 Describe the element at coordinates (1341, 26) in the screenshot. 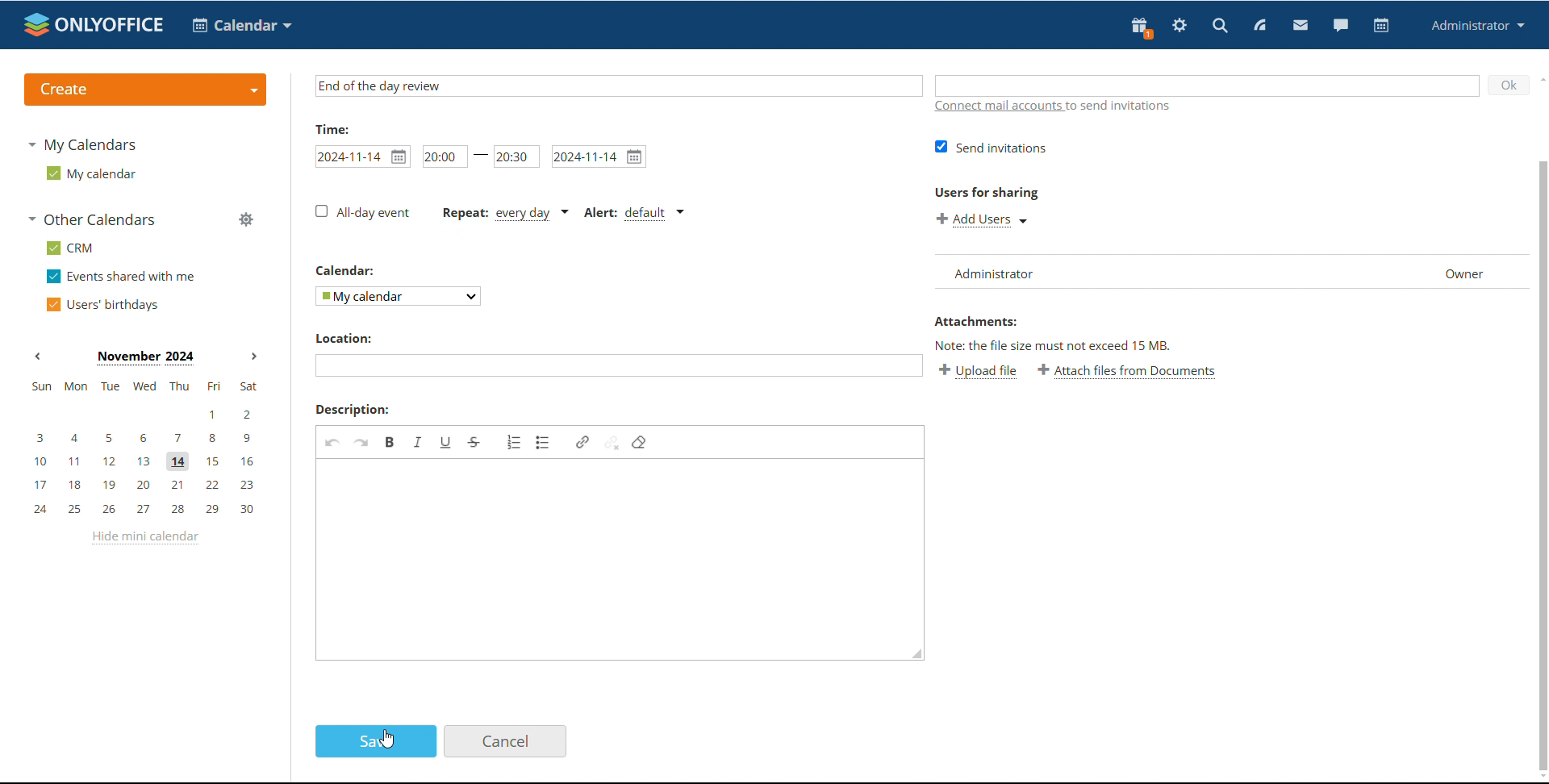

I see `chat` at that location.